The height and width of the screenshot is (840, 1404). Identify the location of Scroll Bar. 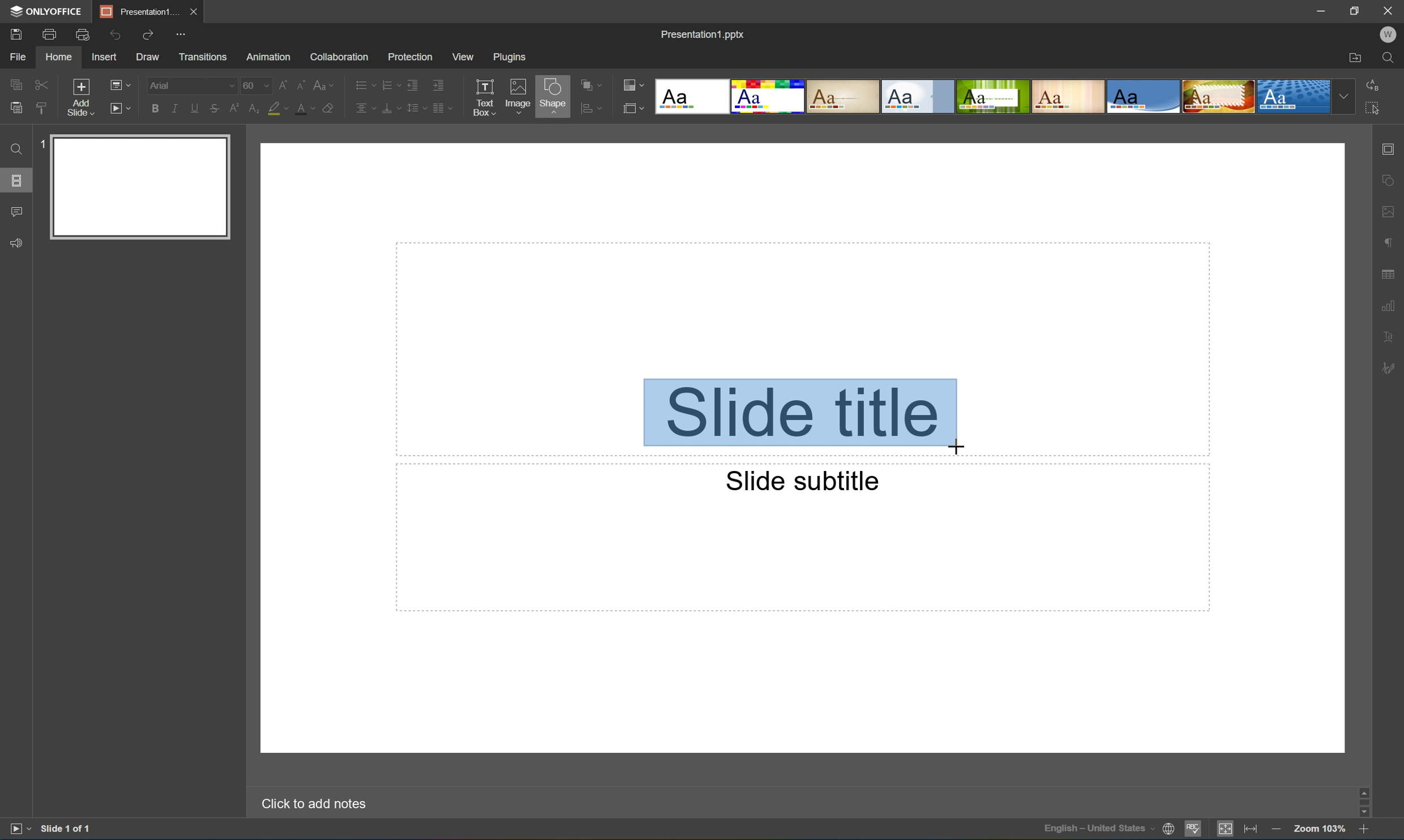
(1360, 803).